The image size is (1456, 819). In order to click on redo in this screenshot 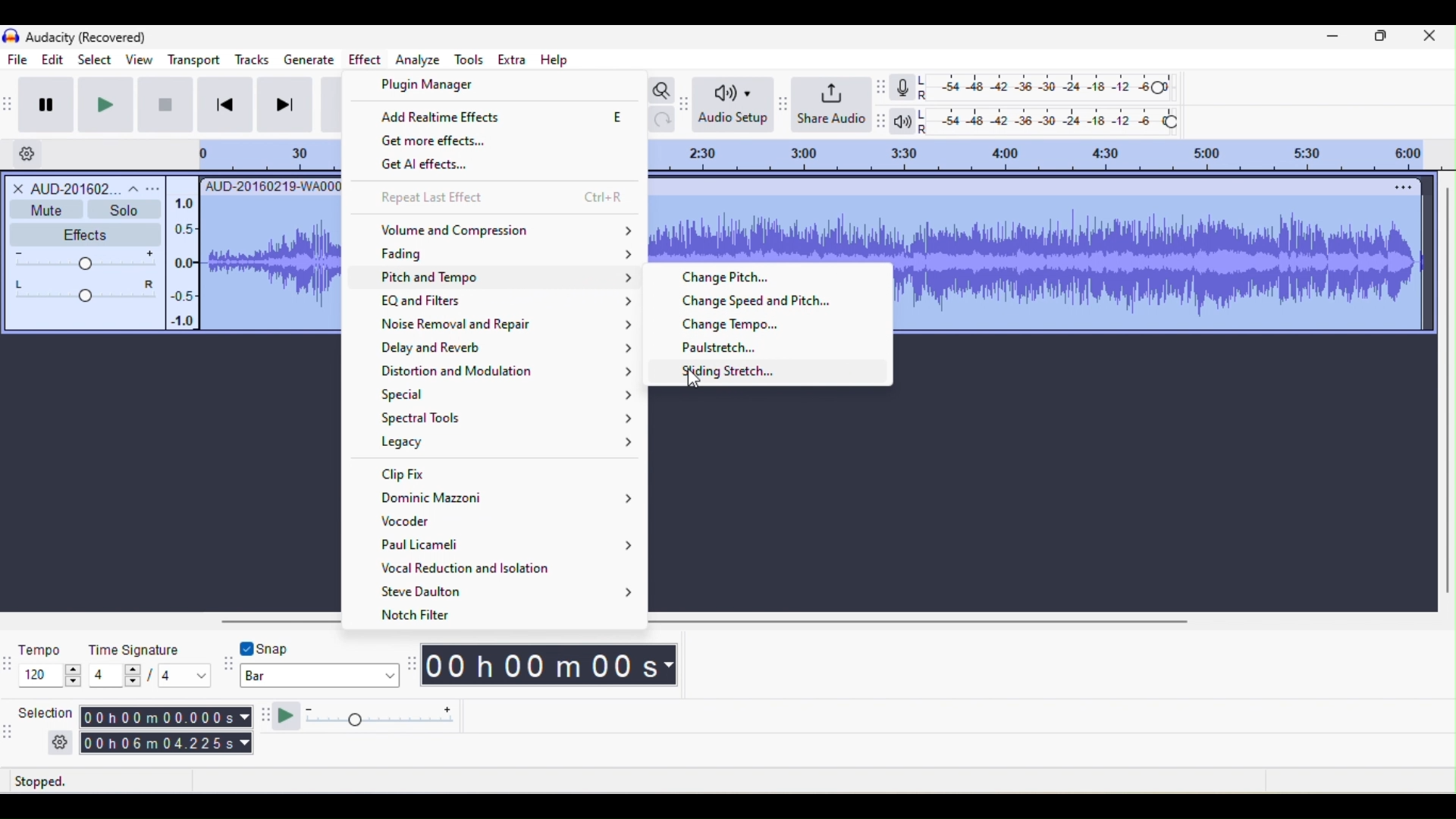, I will do `click(663, 123)`.